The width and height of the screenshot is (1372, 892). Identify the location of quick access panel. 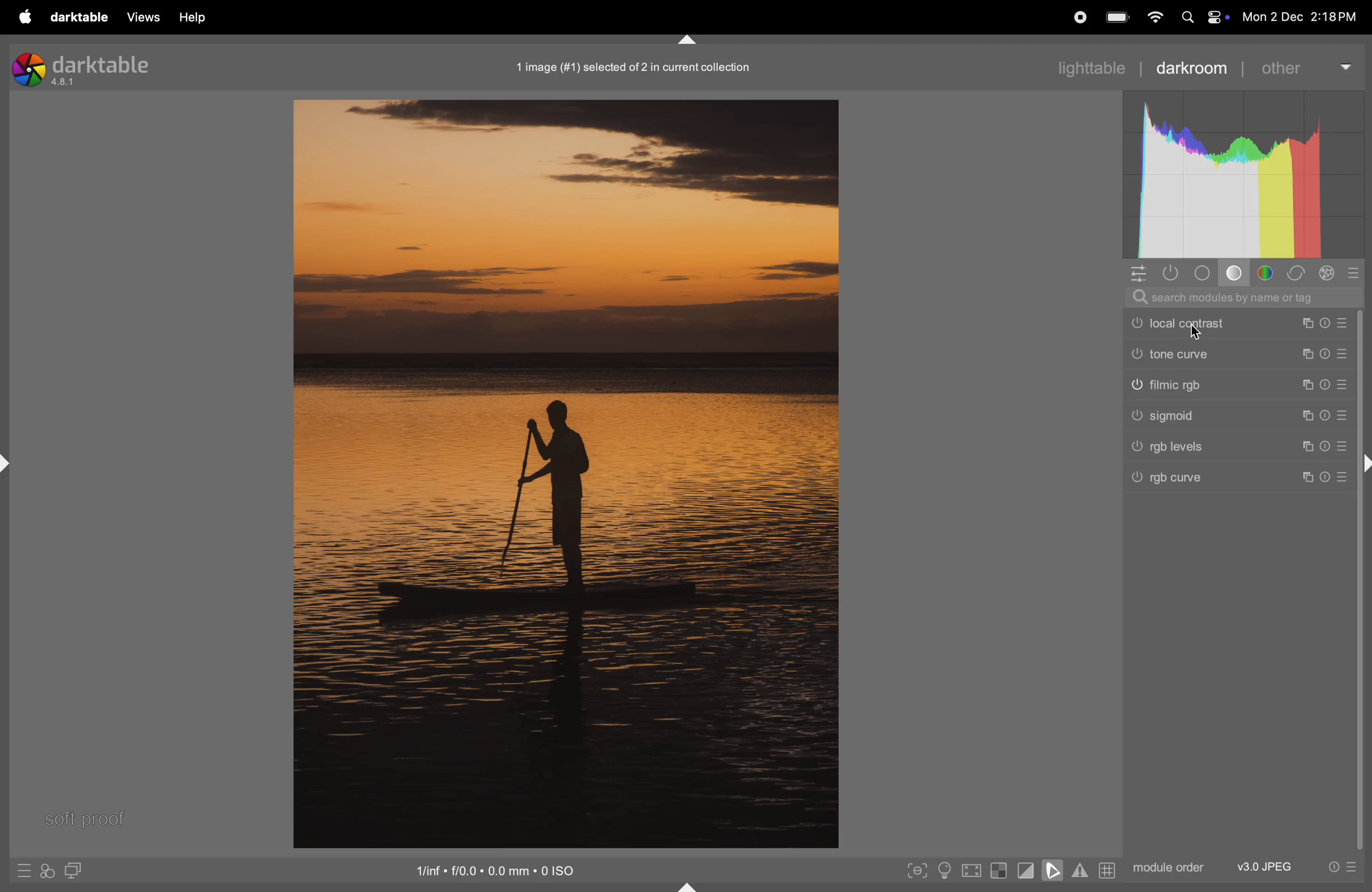
(1136, 273).